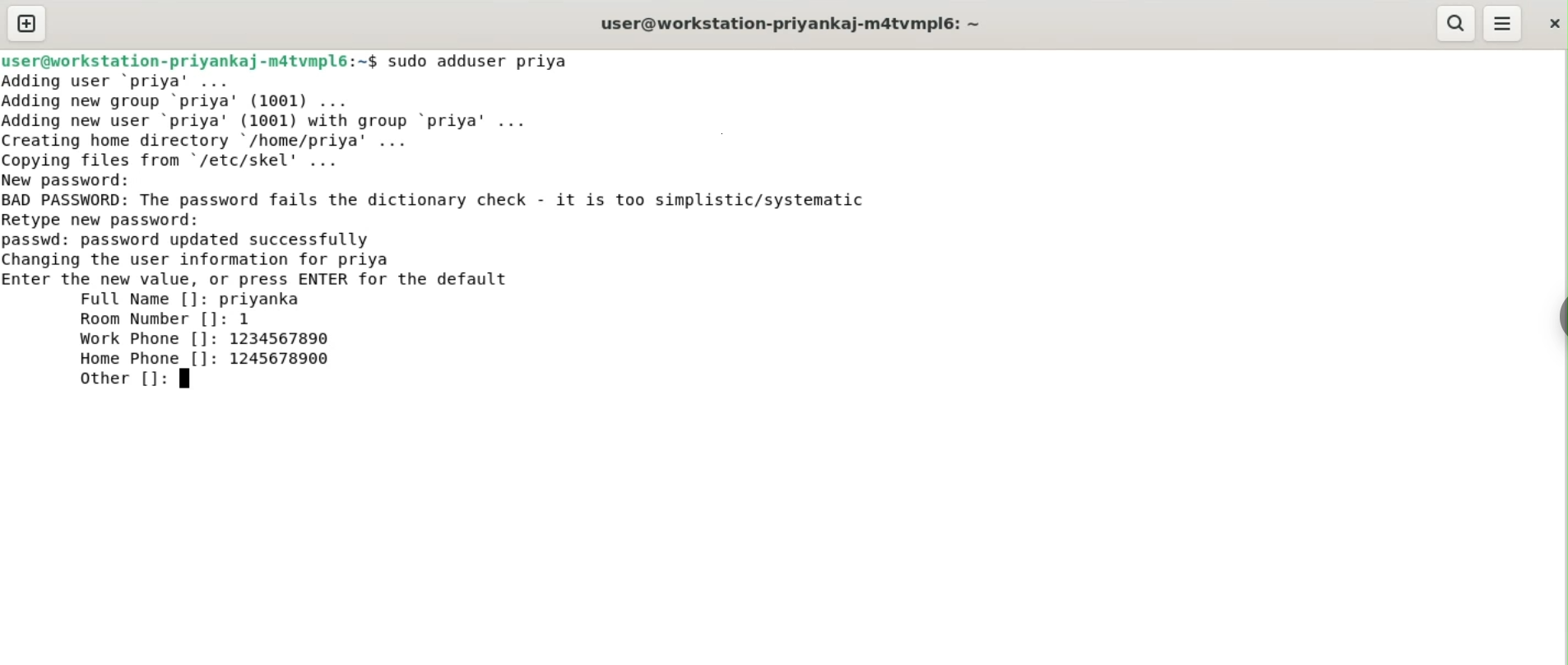 This screenshot has height=665, width=1568. What do you see at coordinates (114, 219) in the screenshot?
I see `retype new password:` at bounding box center [114, 219].